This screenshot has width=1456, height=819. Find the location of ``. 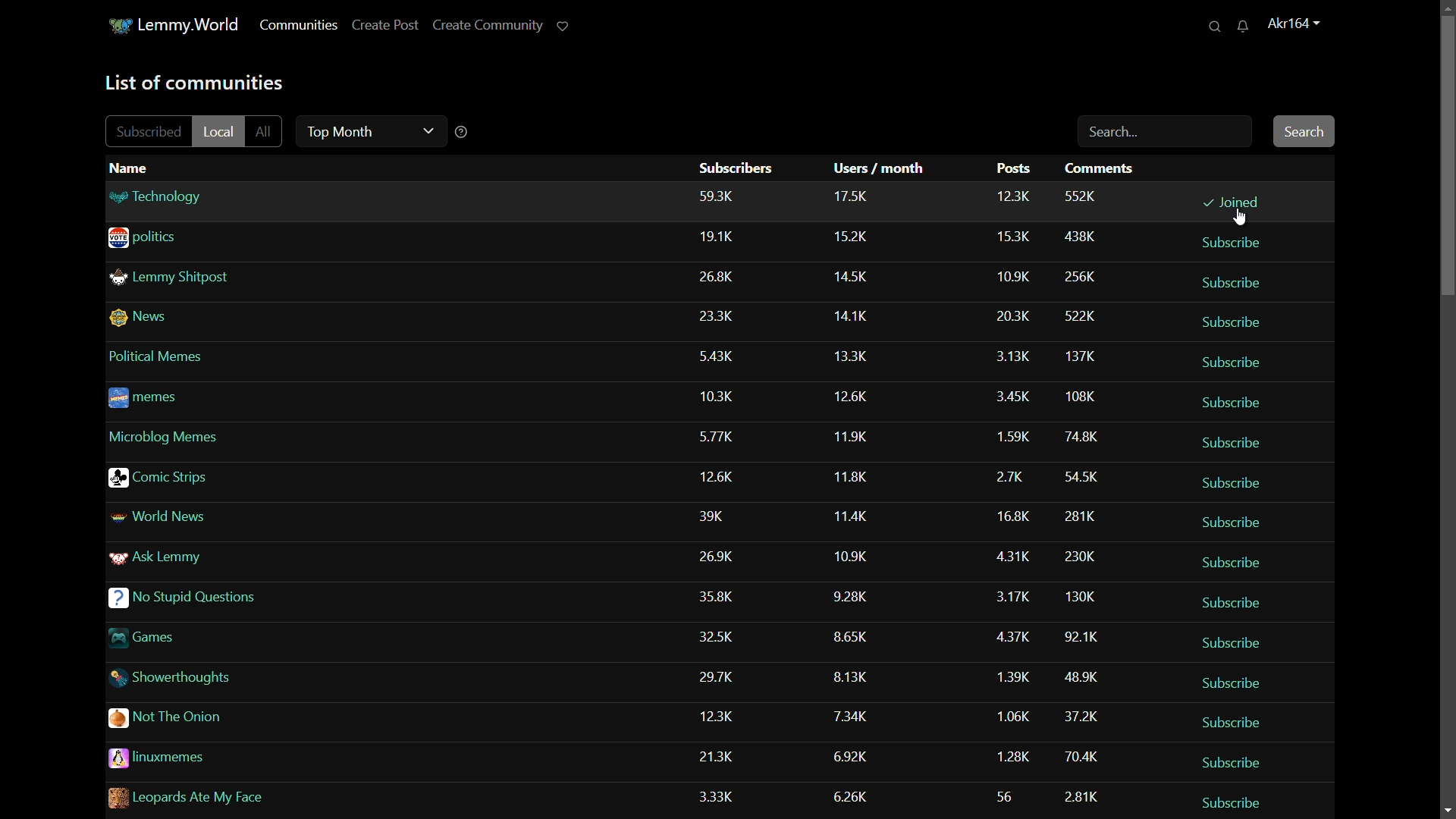

 is located at coordinates (1078, 636).